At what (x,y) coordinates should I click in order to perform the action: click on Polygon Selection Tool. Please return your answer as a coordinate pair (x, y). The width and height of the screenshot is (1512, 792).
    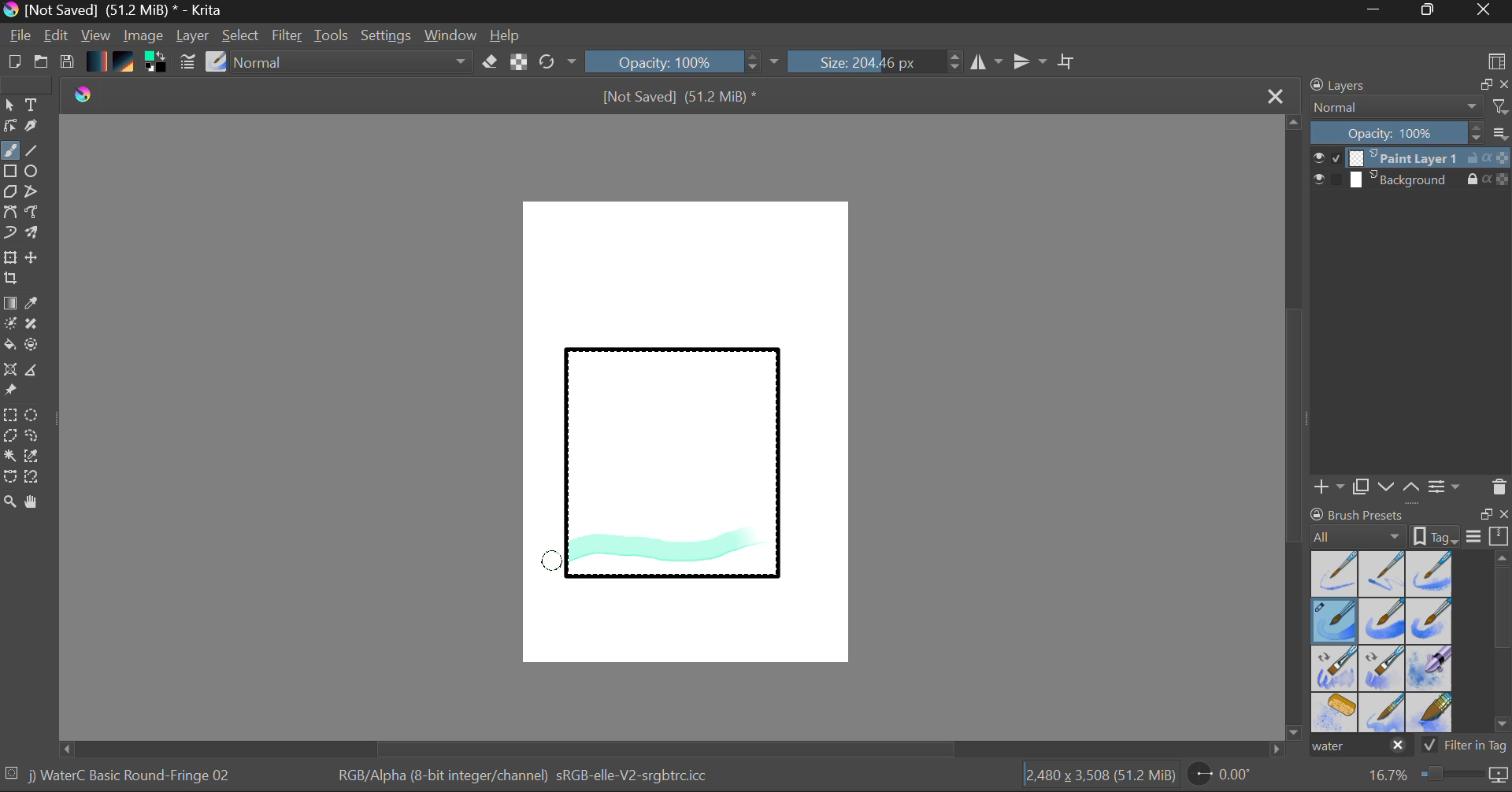
    Looking at the image, I should click on (9, 436).